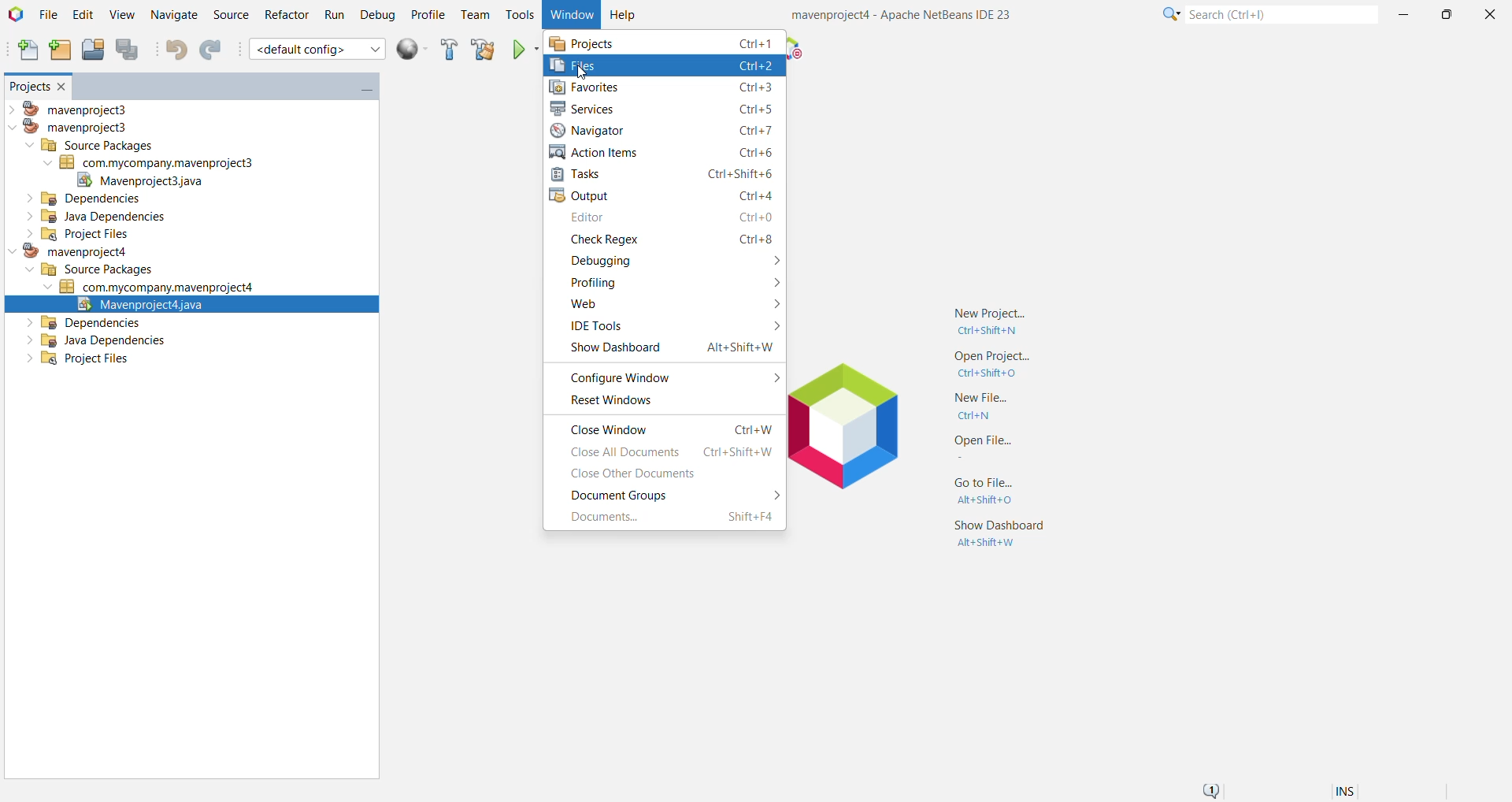 This screenshot has width=1512, height=802. I want to click on Minimize Window Group, so click(361, 89).